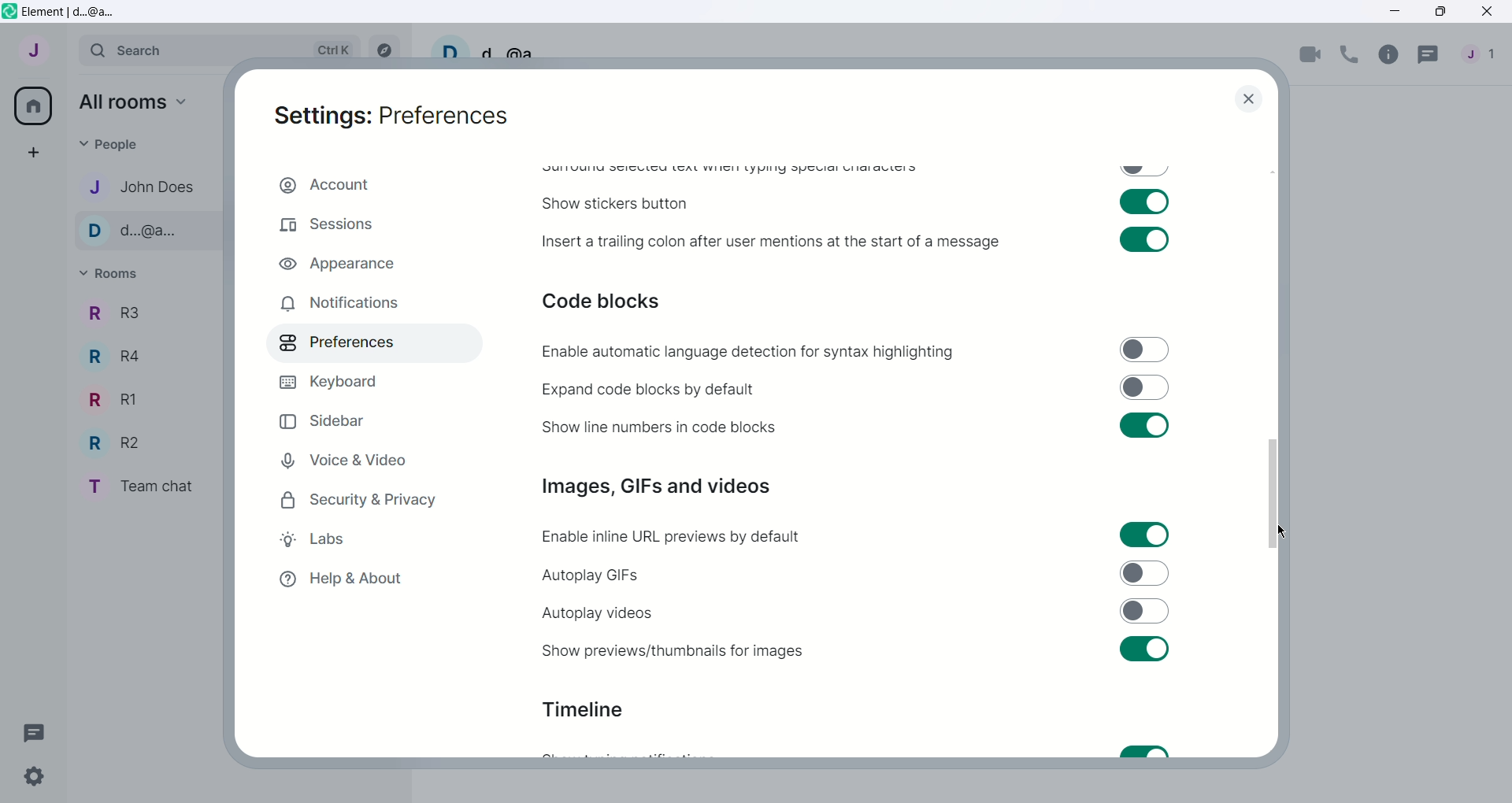  What do you see at coordinates (72, 13) in the screenshot?
I see `Element | d...@a...` at bounding box center [72, 13].